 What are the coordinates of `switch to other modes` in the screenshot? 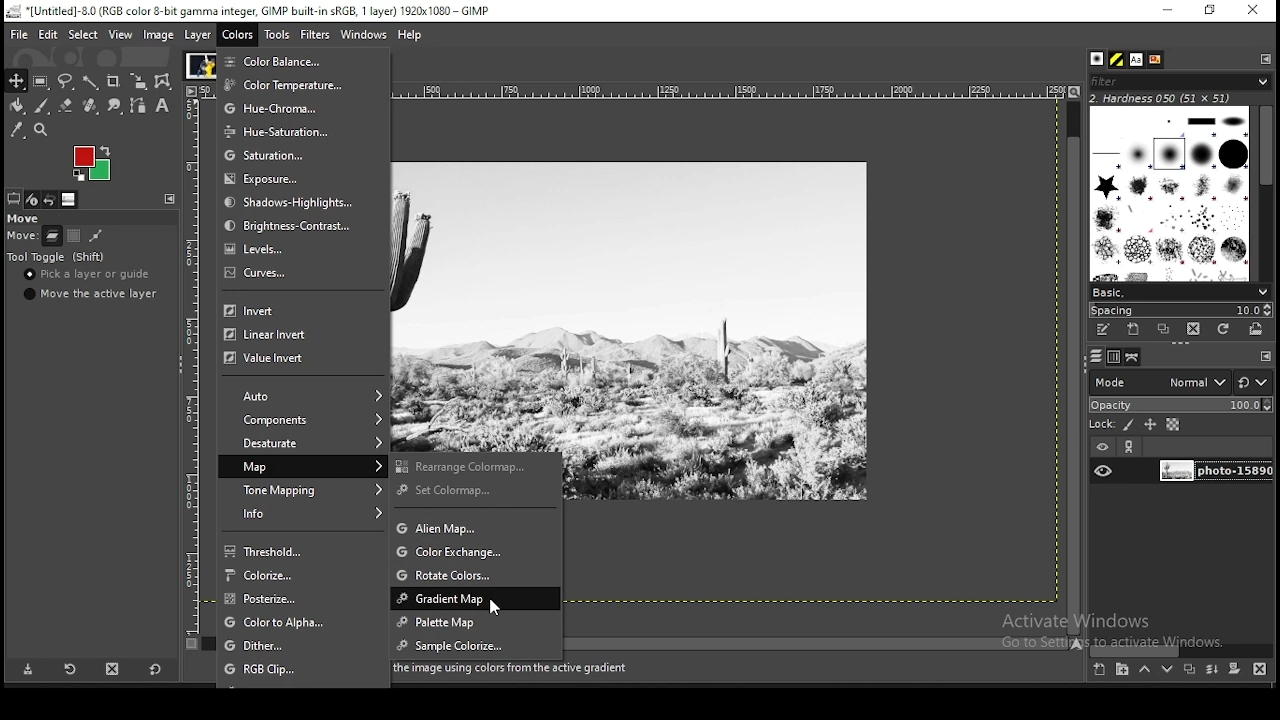 It's located at (1252, 383).